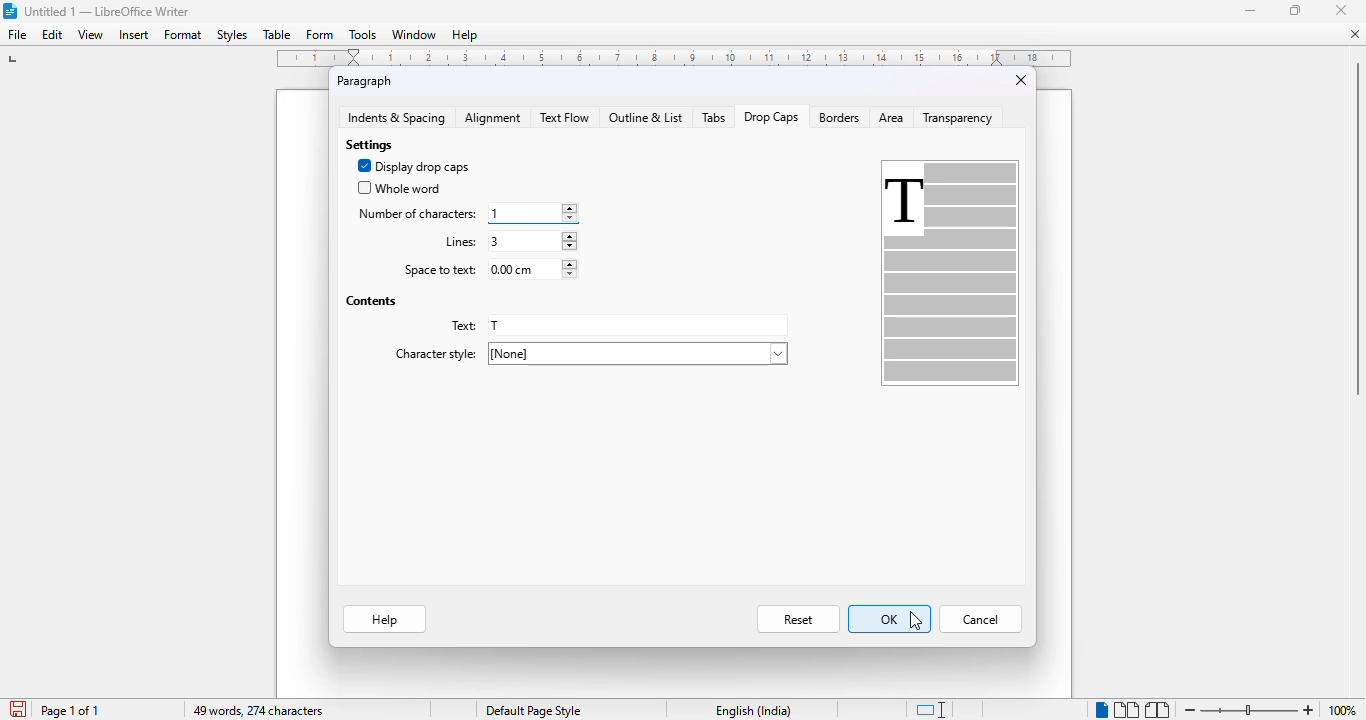 Image resolution: width=1366 pixels, height=720 pixels. I want to click on number of characters: 1, so click(465, 212).